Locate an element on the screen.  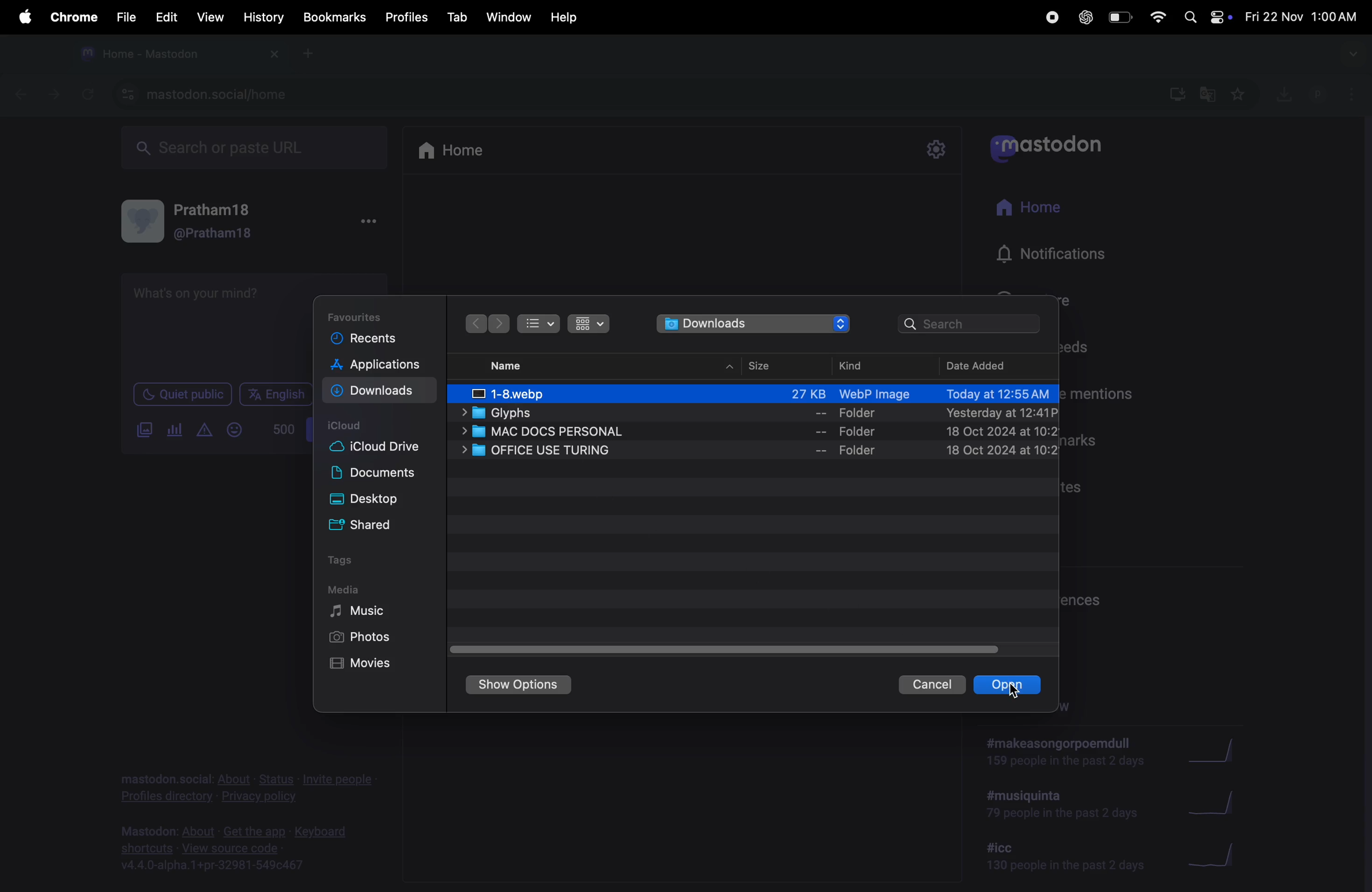
about is located at coordinates (235, 780).